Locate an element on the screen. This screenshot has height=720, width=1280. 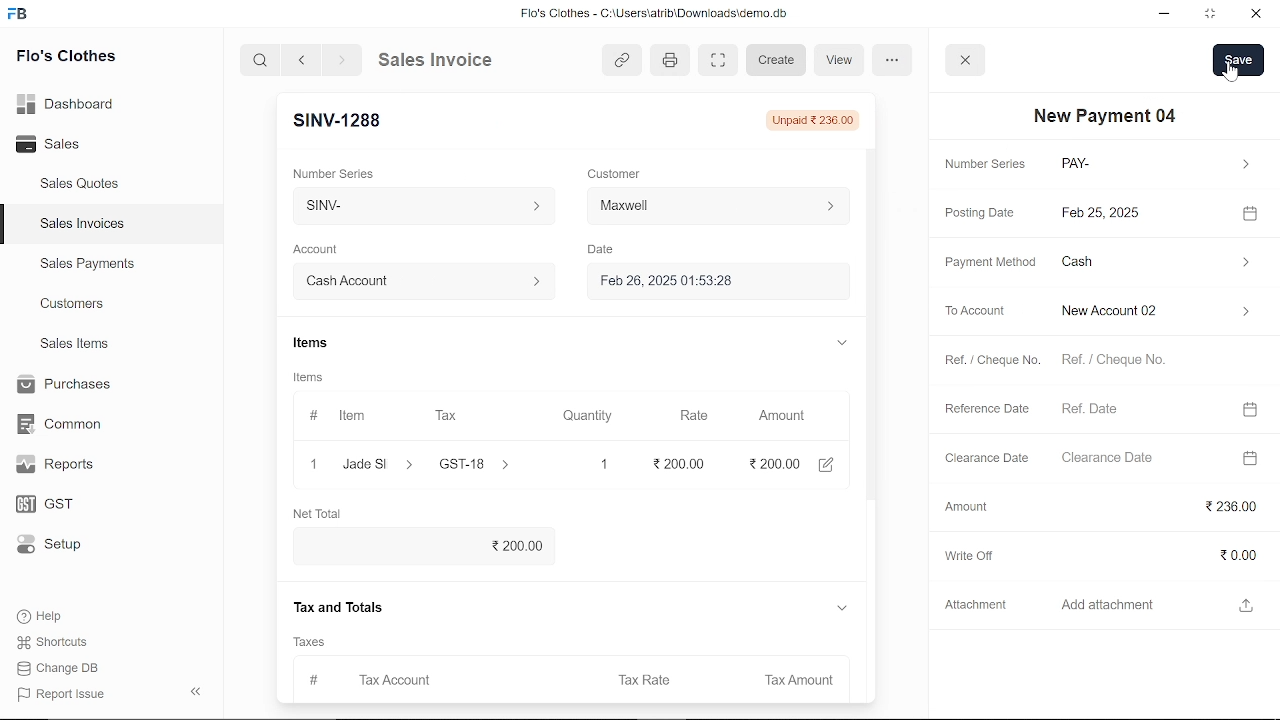
PAV> is located at coordinates (1154, 164).